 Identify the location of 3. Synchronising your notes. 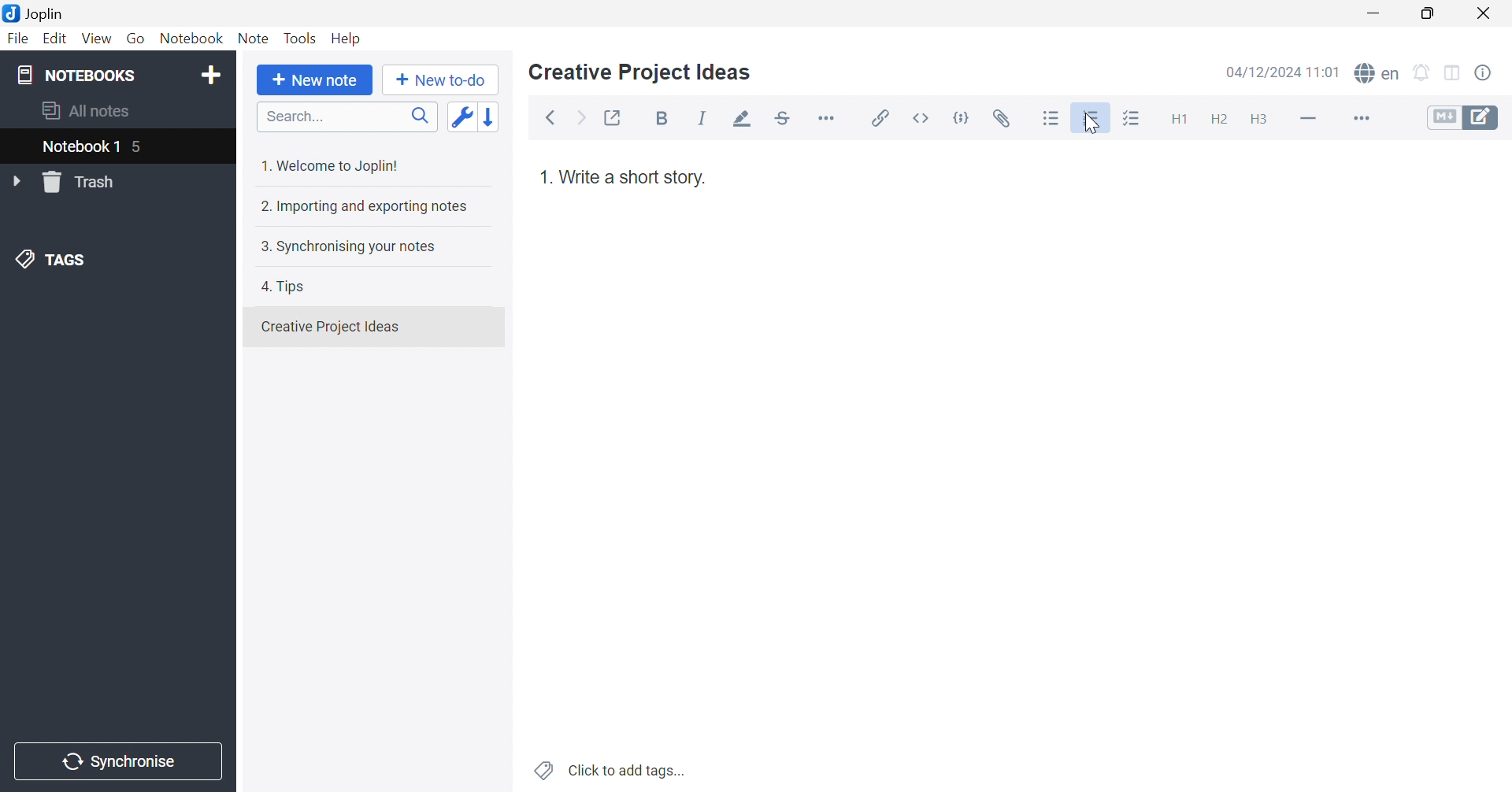
(350, 247).